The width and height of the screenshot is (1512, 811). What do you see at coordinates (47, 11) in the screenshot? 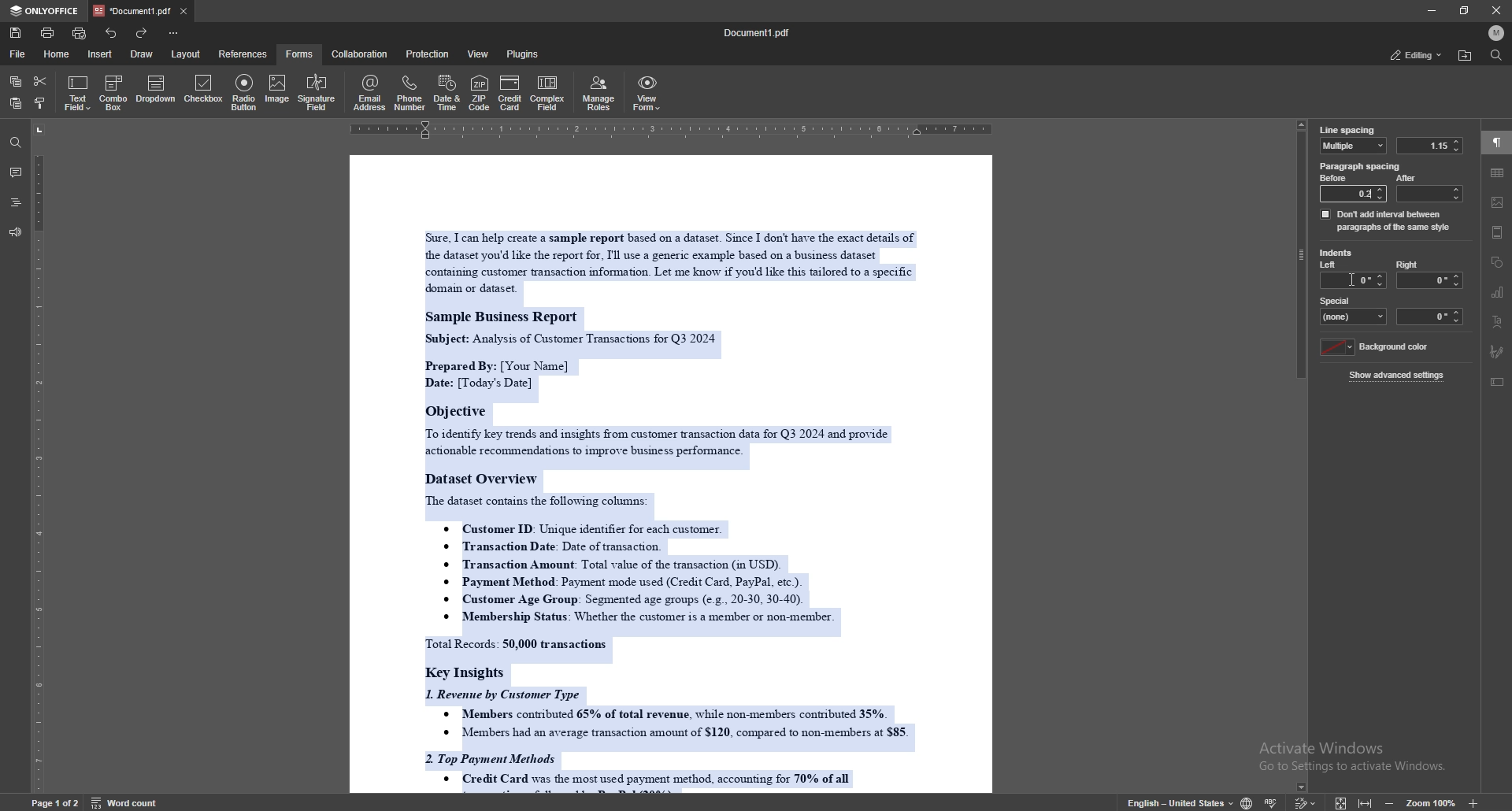
I see `onlyoffice` at bounding box center [47, 11].